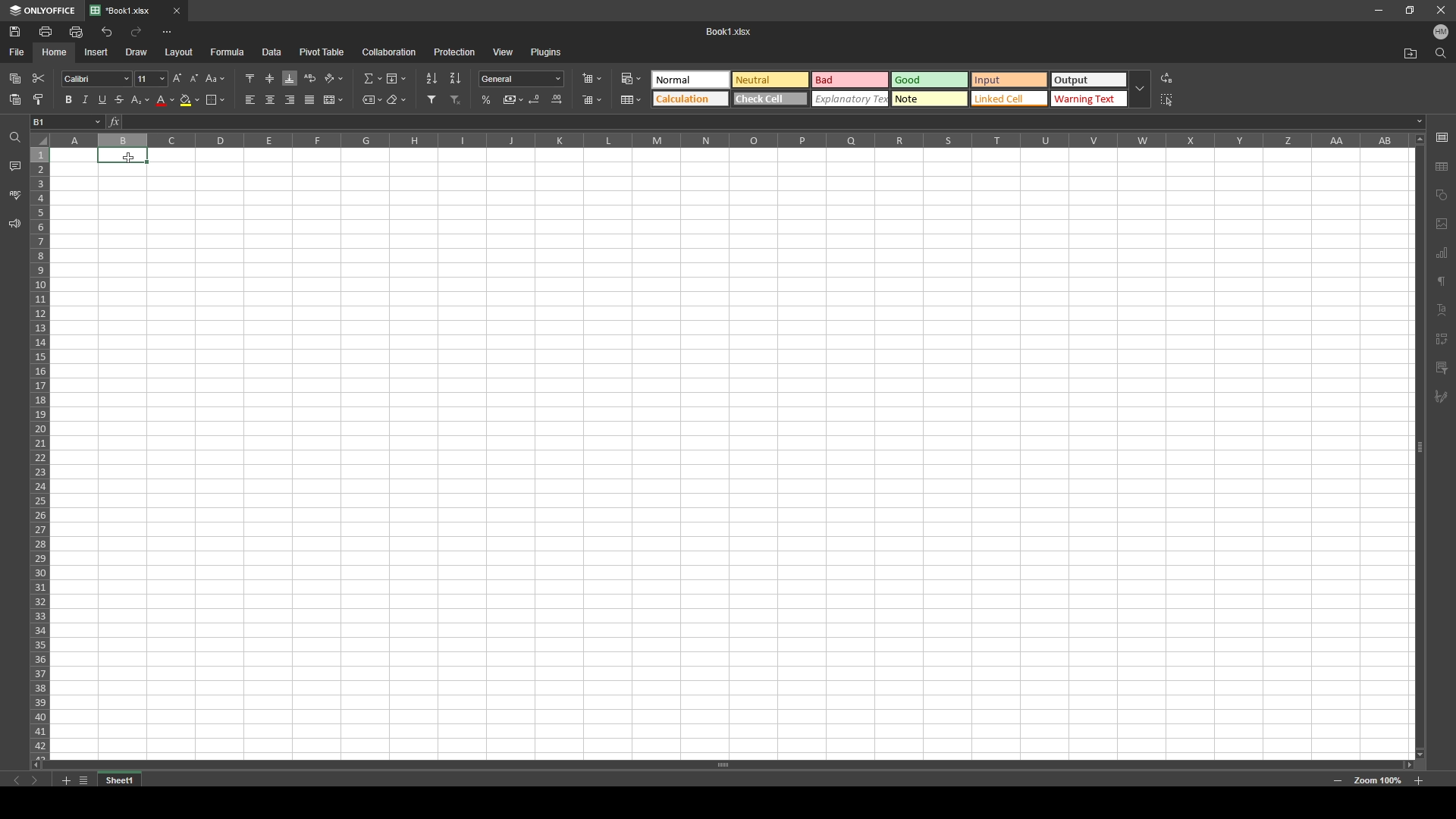 The width and height of the screenshot is (1456, 819). What do you see at coordinates (77, 31) in the screenshot?
I see `quick print` at bounding box center [77, 31].